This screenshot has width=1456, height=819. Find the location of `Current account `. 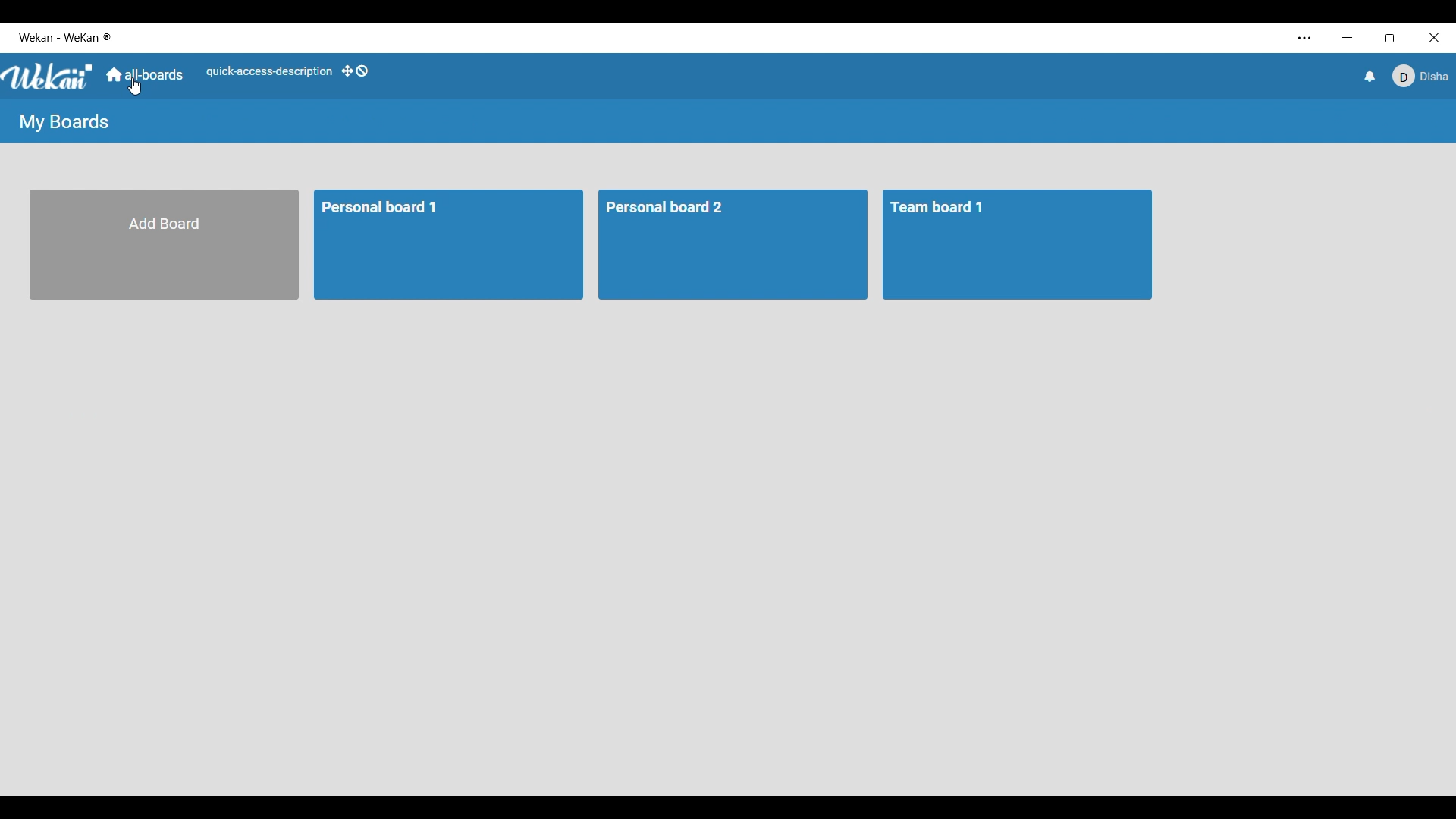

Current account  is located at coordinates (1420, 77).